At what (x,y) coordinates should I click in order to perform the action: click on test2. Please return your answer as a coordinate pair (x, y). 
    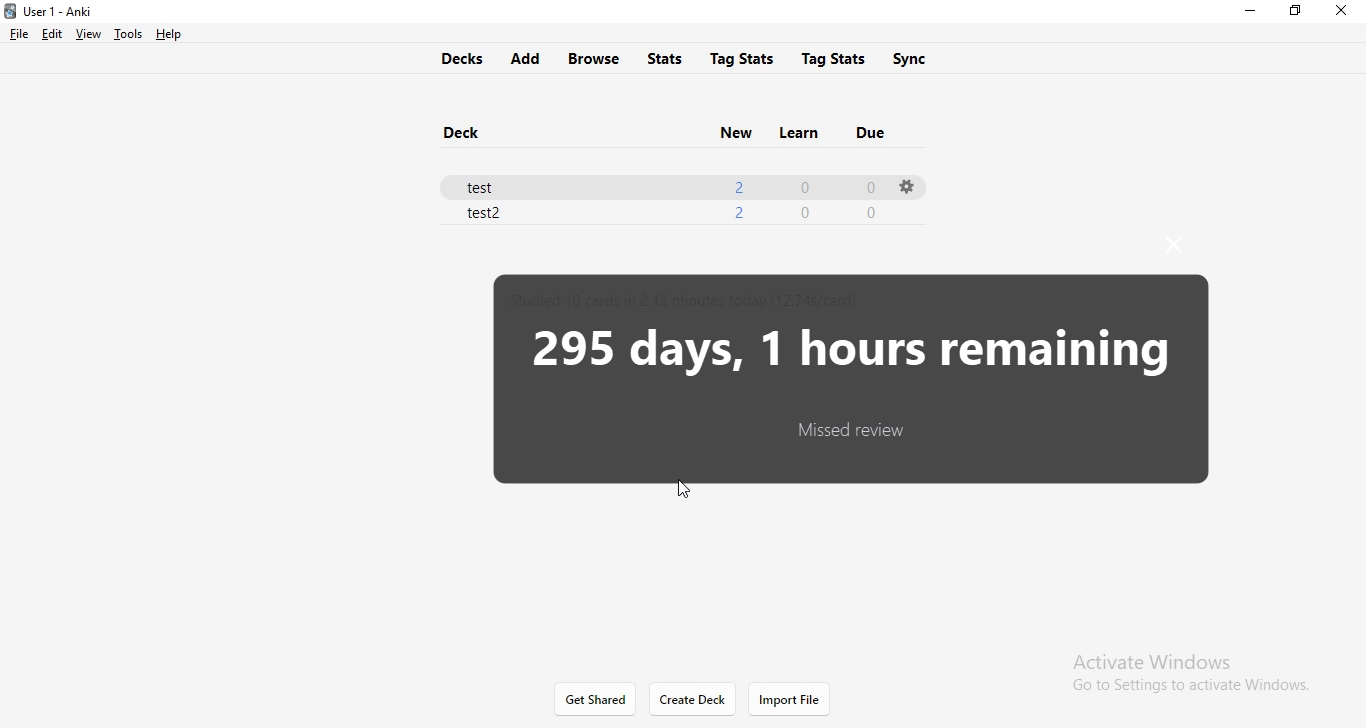
    Looking at the image, I should click on (488, 215).